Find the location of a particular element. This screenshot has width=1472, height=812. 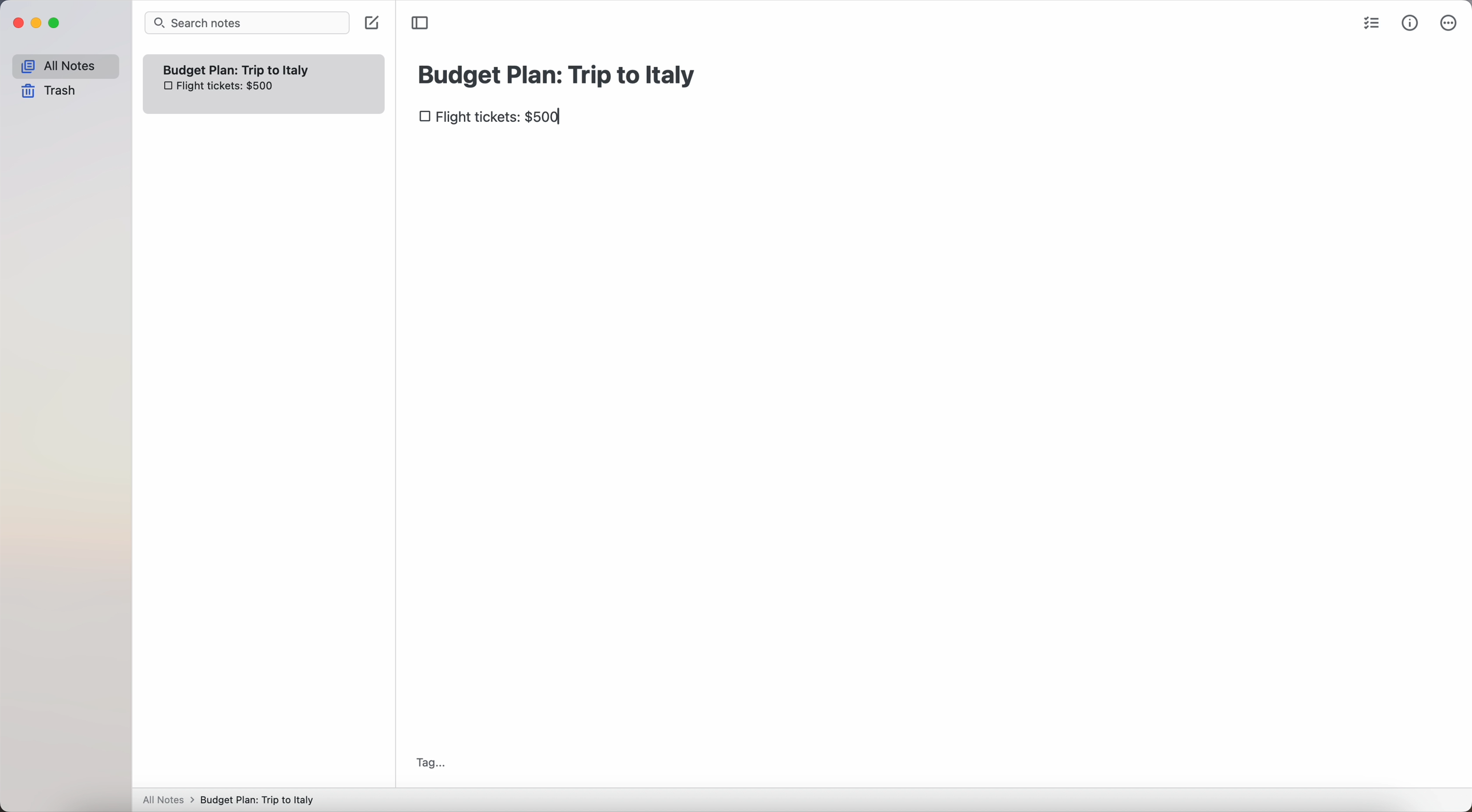

minimize is located at coordinates (39, 23).